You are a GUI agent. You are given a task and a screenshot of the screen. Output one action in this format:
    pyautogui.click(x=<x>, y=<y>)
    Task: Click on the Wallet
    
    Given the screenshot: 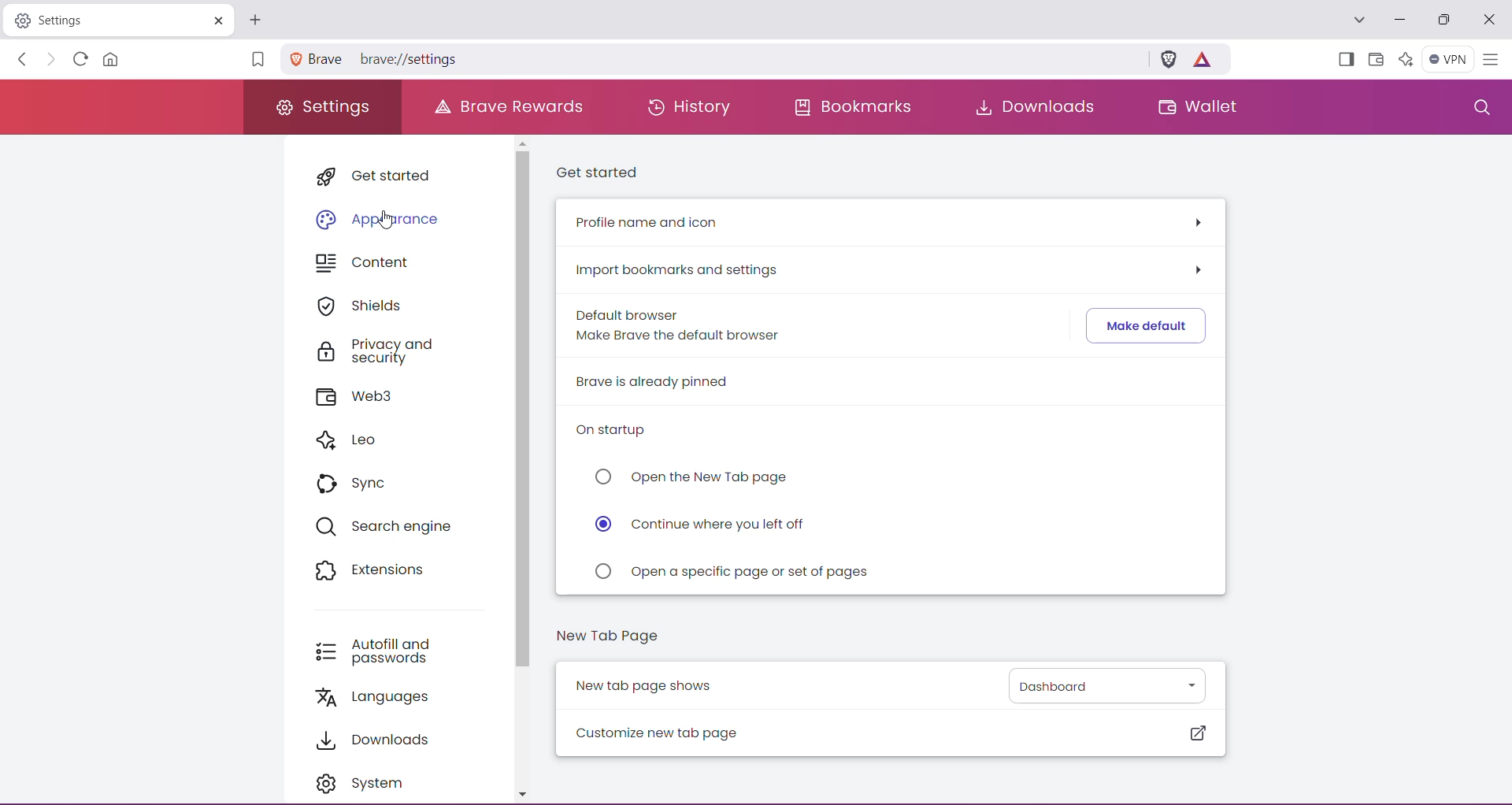 What is the action you would take?
    pyautogui.click(x=1196, y=109)
    